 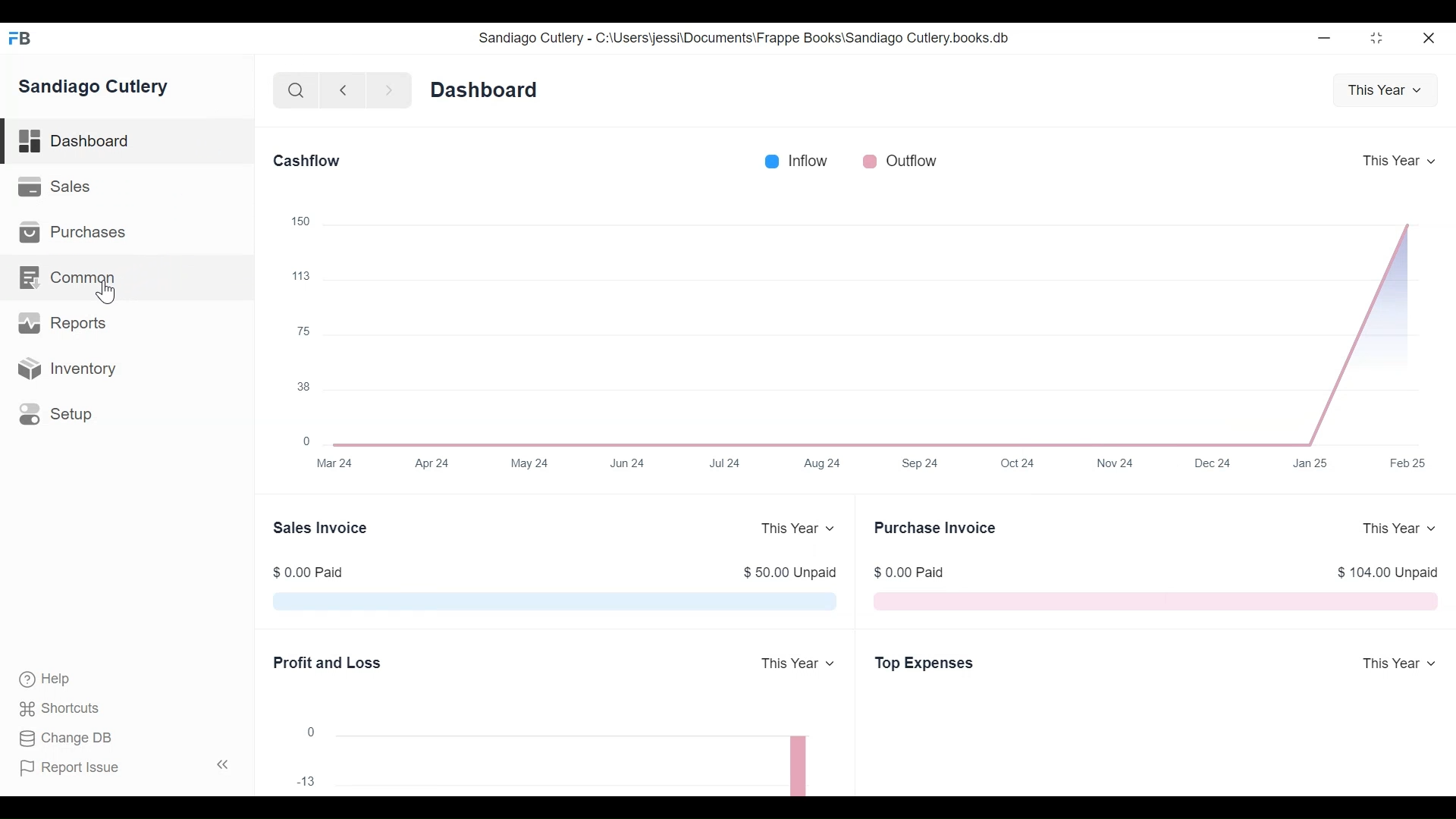 I want to click on Search, so click(x=297, y=90).